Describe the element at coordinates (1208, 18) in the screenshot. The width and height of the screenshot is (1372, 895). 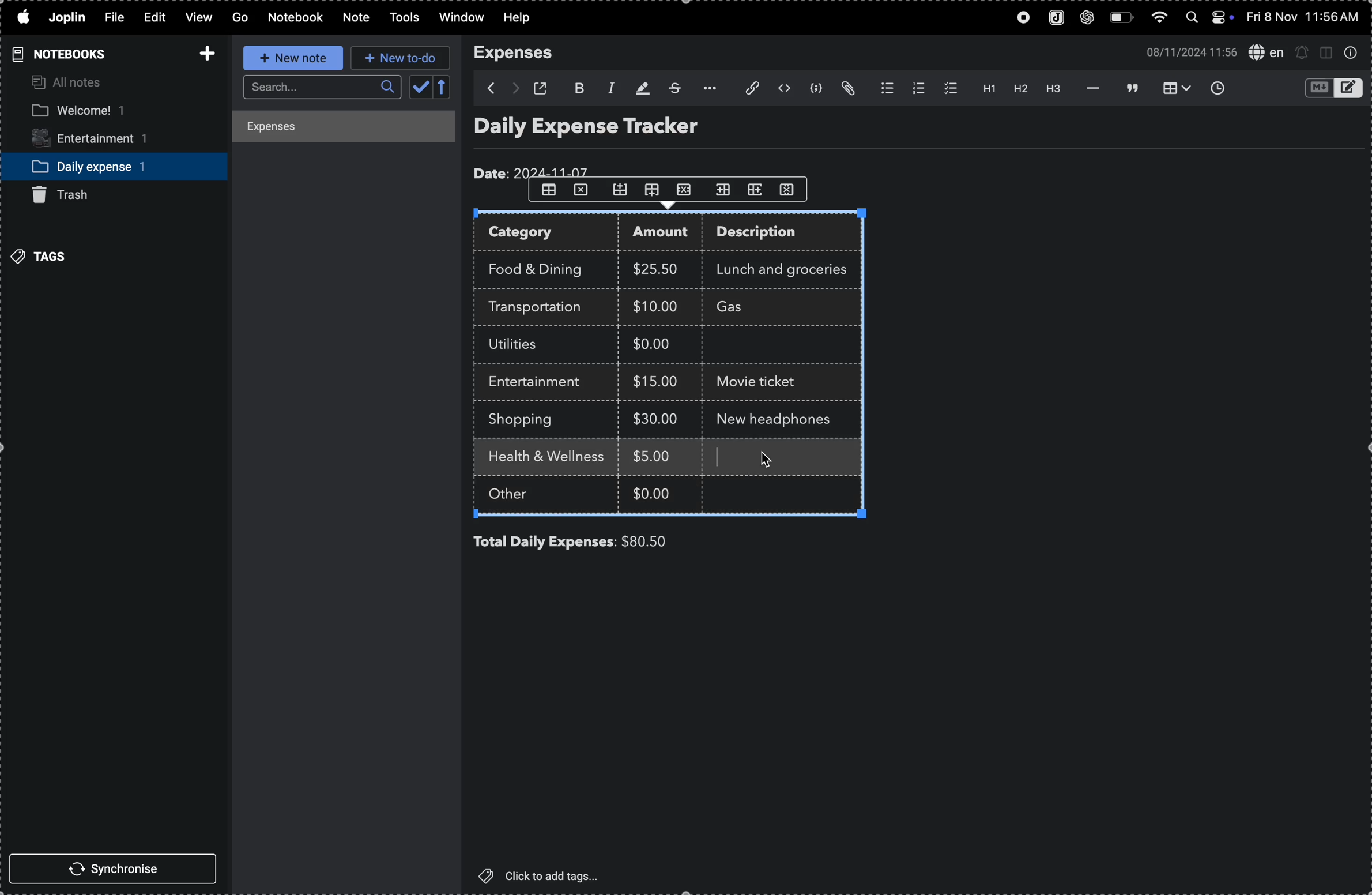
I see `apple widgets` at that location.